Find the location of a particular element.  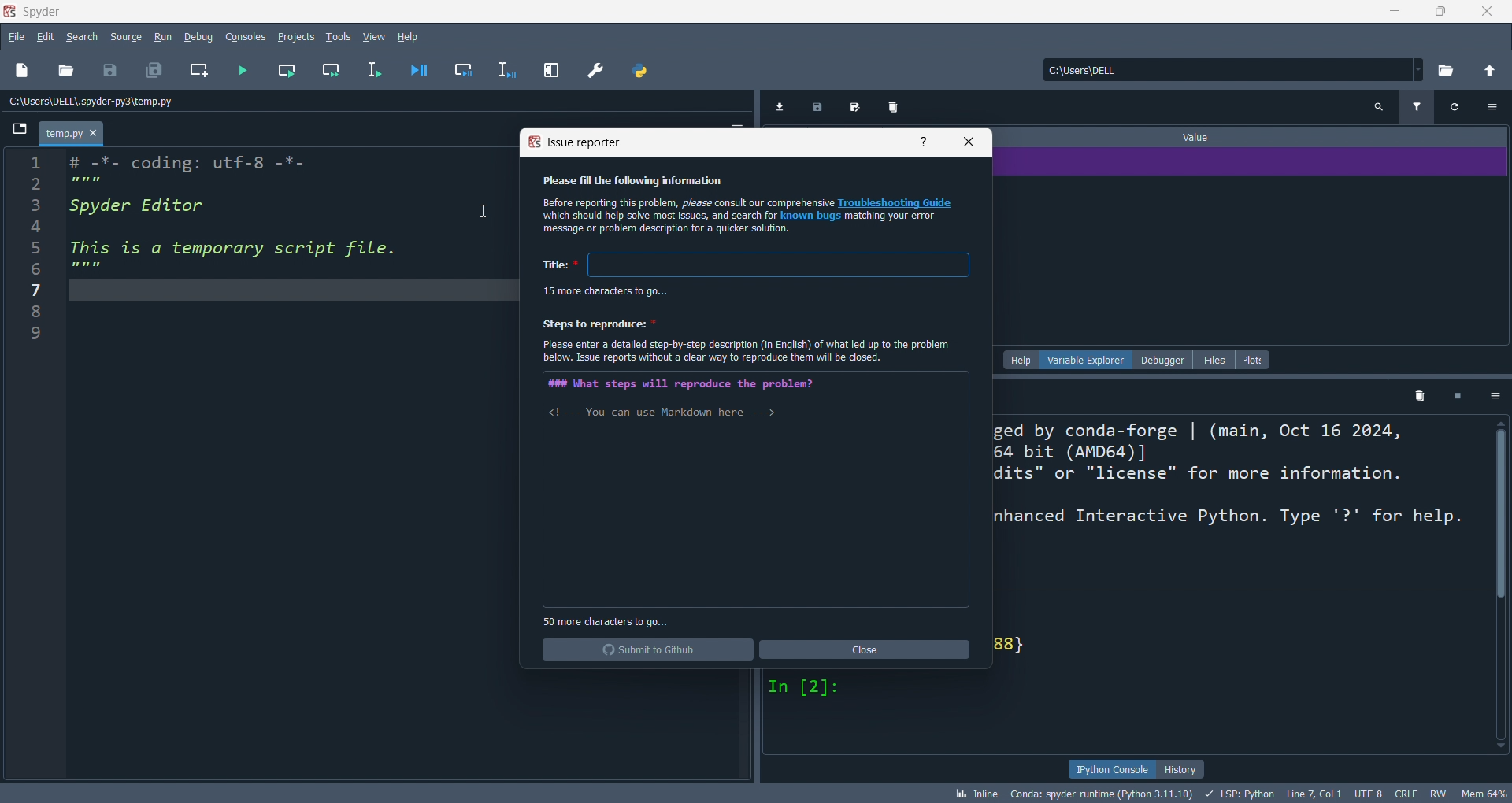

run cell is located at coordinates (290, 72).